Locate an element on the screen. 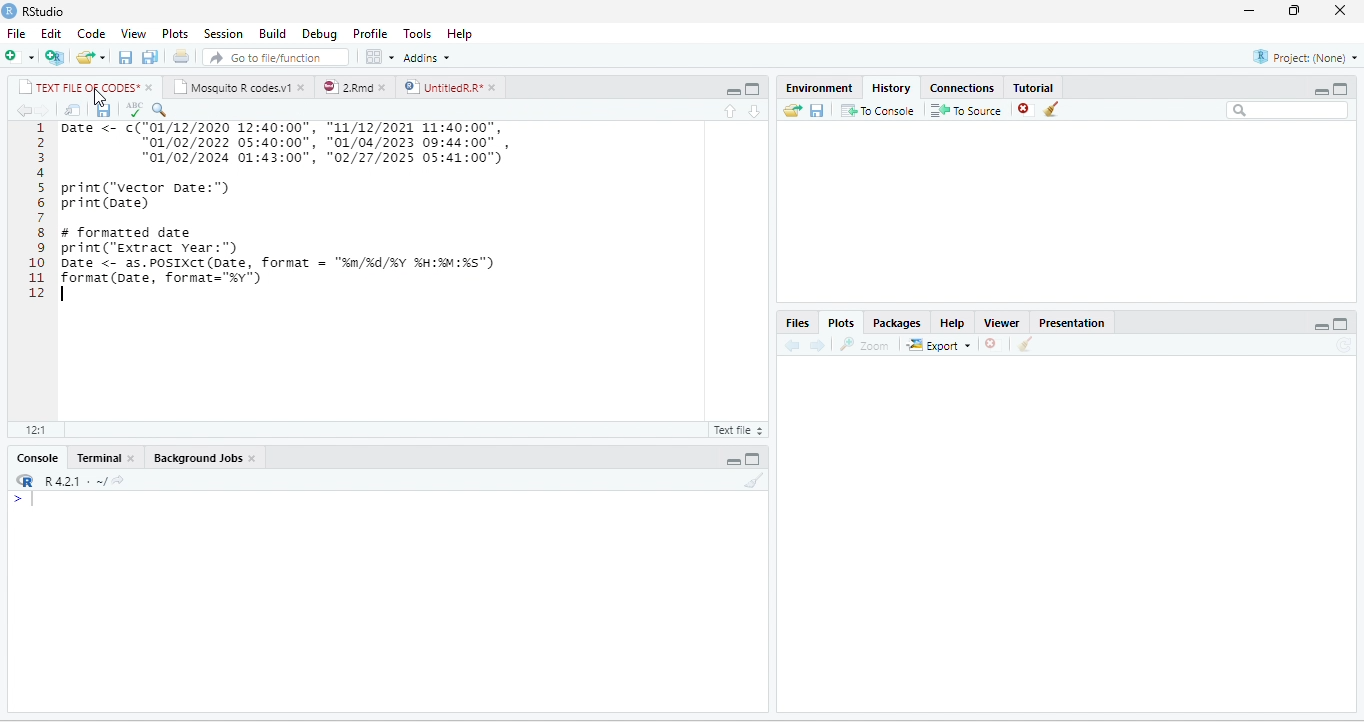 The image size is (1364, 722). open file is located at coordinates (92, 57).